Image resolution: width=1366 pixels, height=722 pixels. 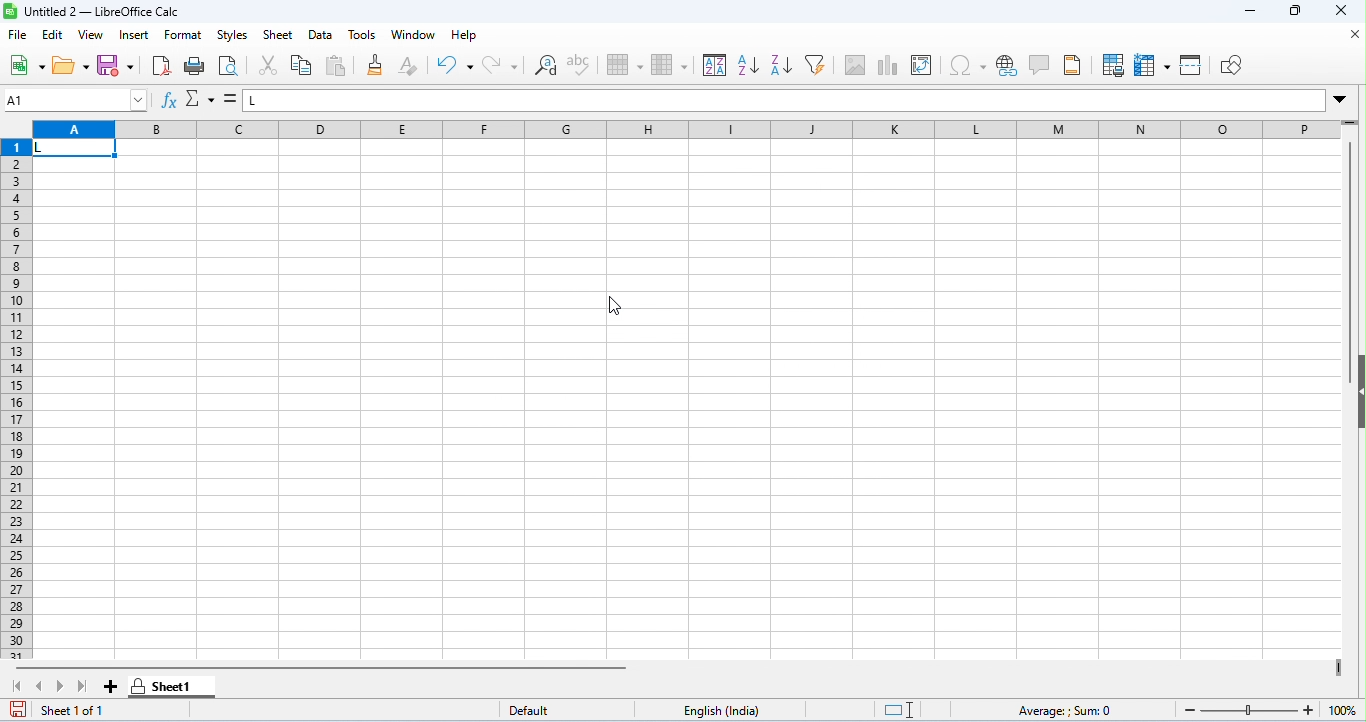 I want to click on styles, so click(x=233, y=36).